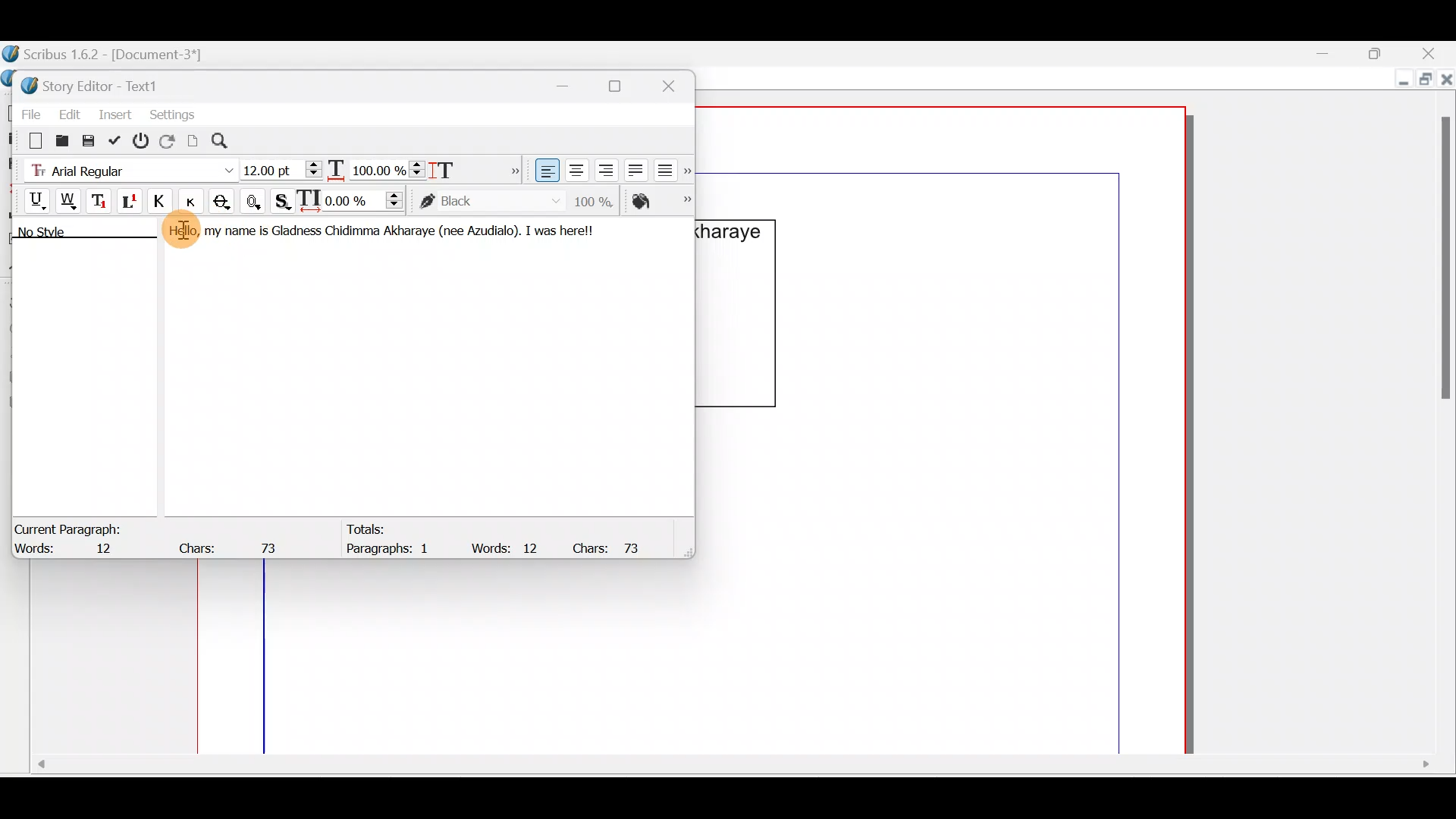 The image size is (1456, 819). Describe the element at coordinates (1400, 81) in the screenshot. I see `Minimize` at that location.